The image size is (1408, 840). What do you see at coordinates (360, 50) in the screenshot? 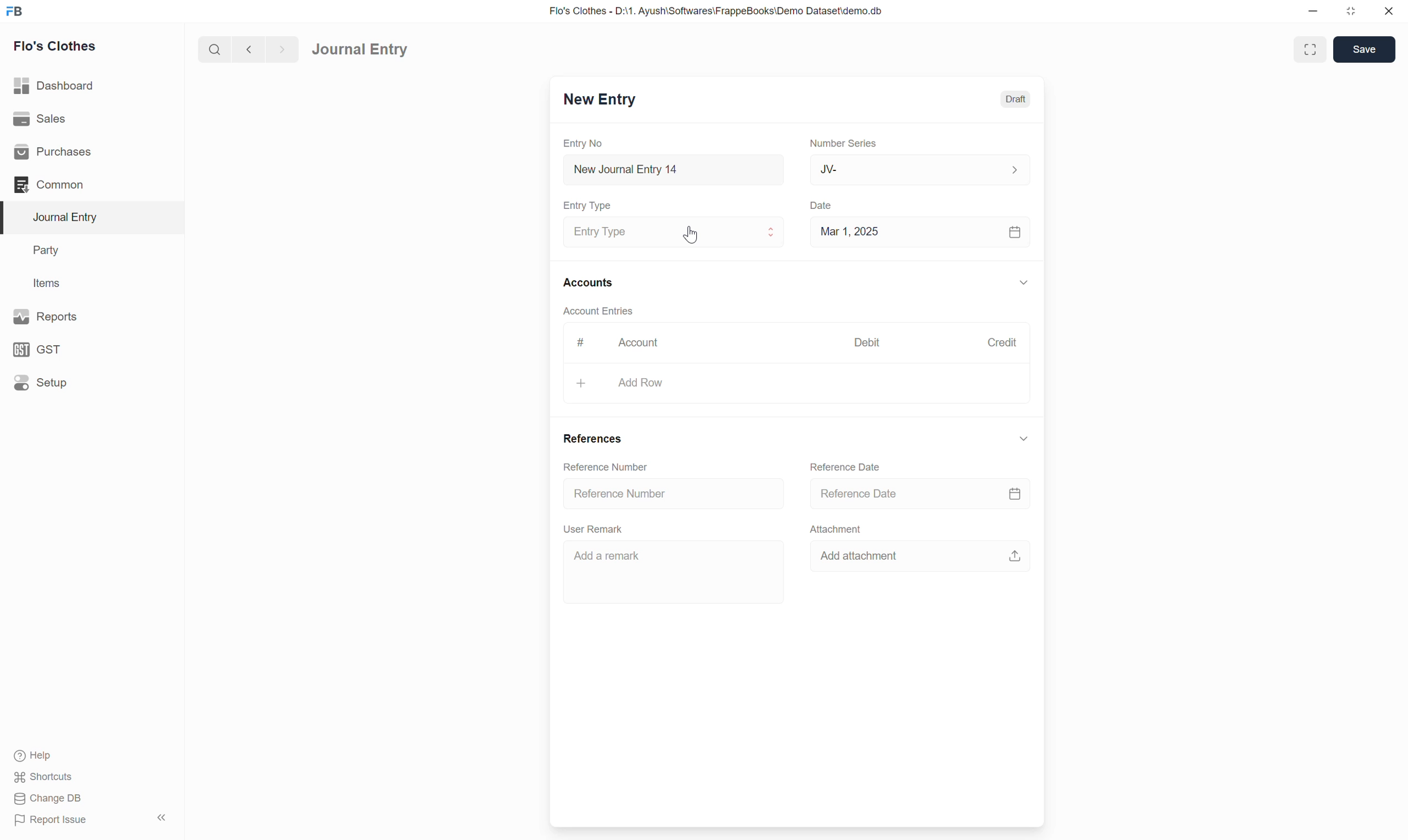
I see `Journal Entry` at bounding box center [360, 50].